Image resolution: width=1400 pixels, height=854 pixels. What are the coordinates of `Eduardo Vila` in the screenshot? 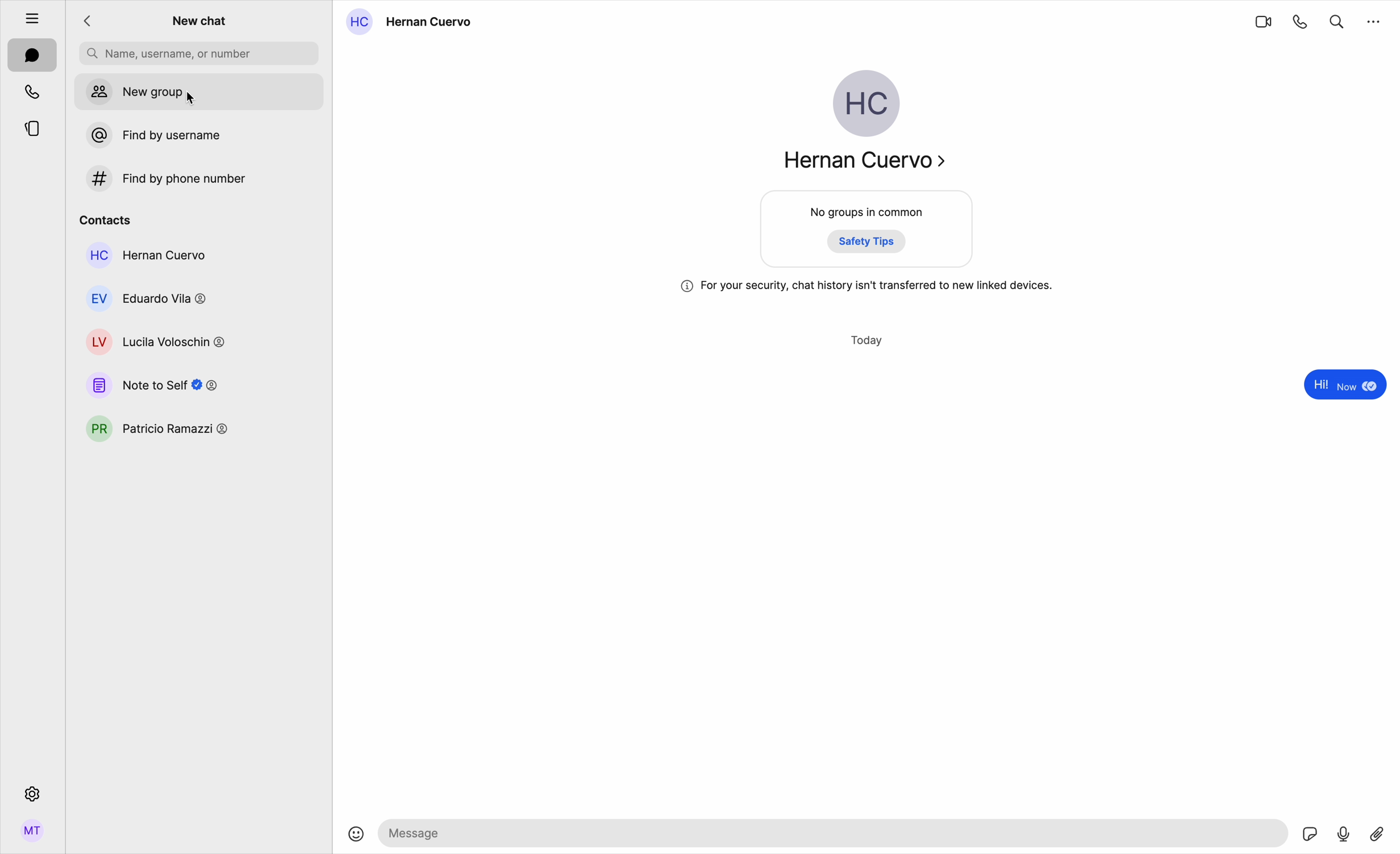 It's located at (149, 298).